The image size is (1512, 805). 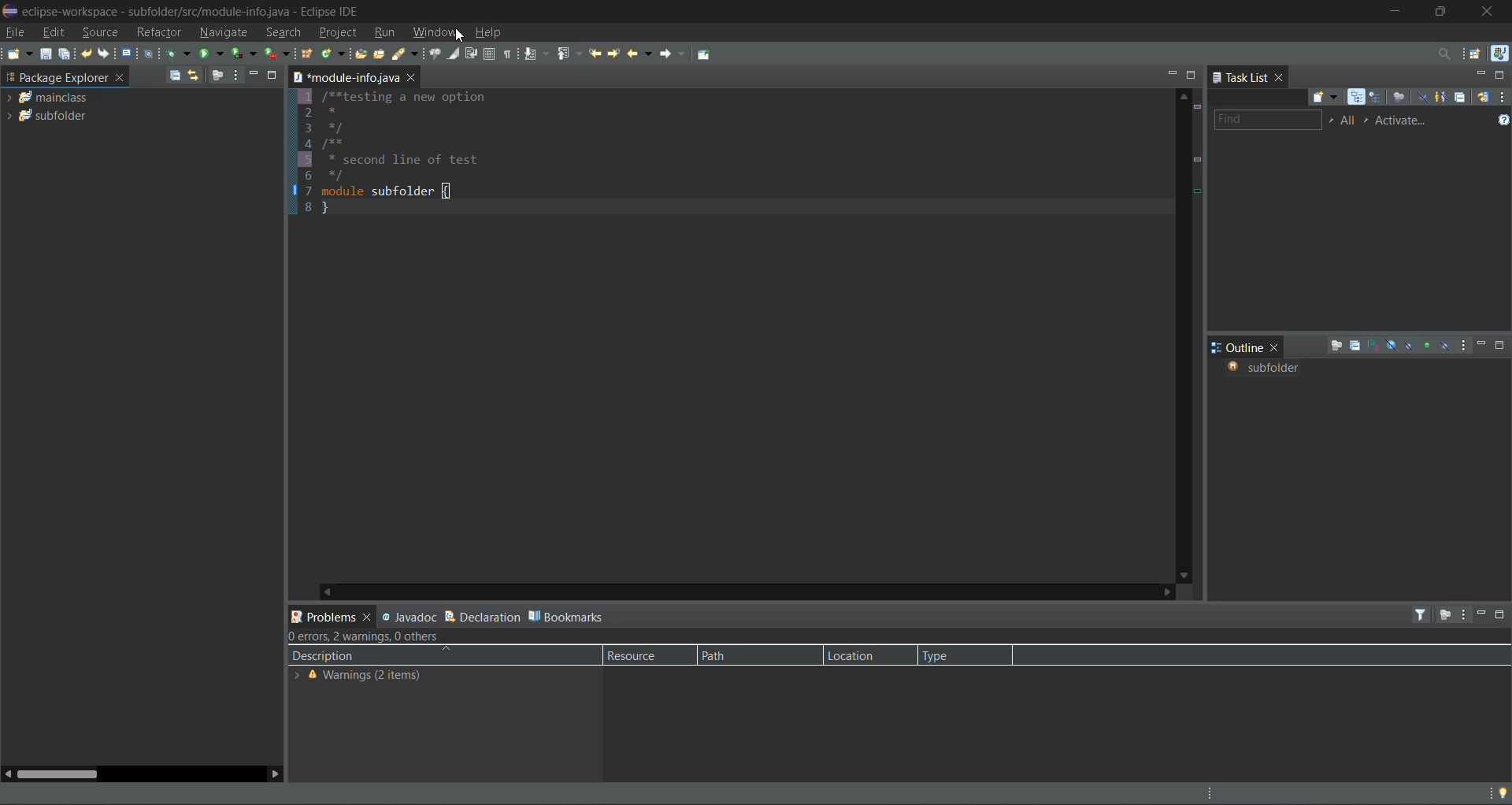 I want to click on save all, so click(x=66, y=54).